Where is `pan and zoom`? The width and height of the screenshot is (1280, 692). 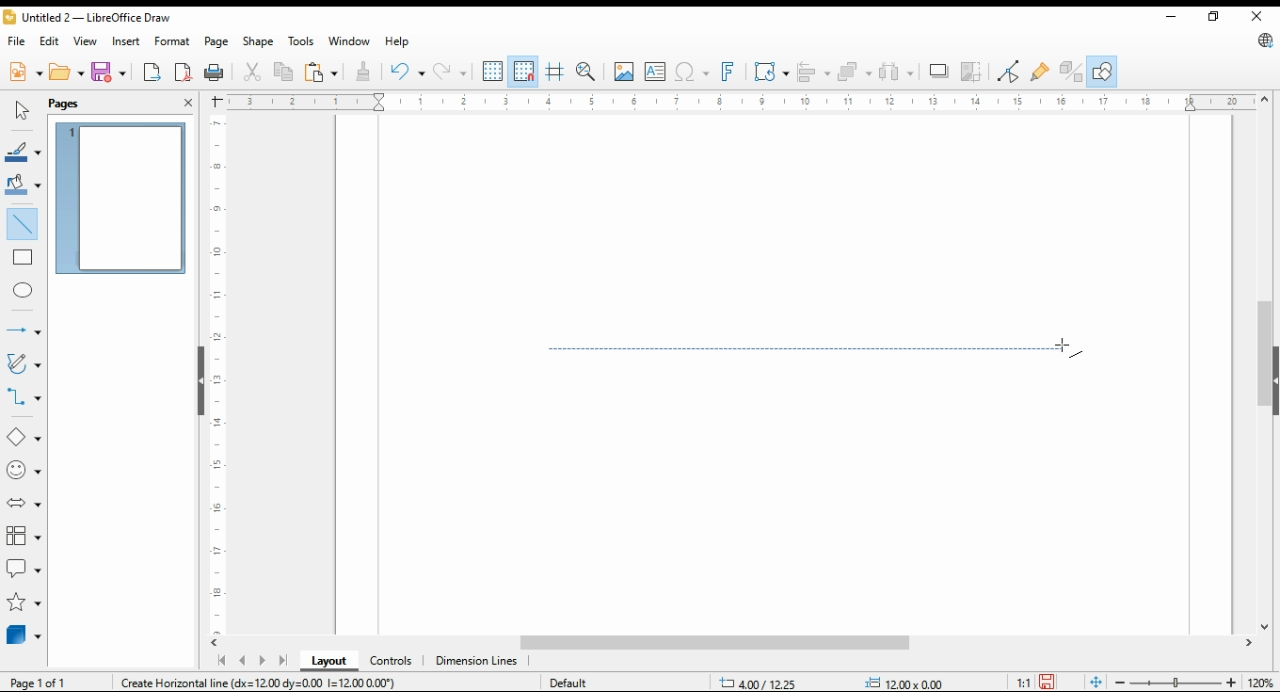 pan and zoom is located at coordinates (587, 72).